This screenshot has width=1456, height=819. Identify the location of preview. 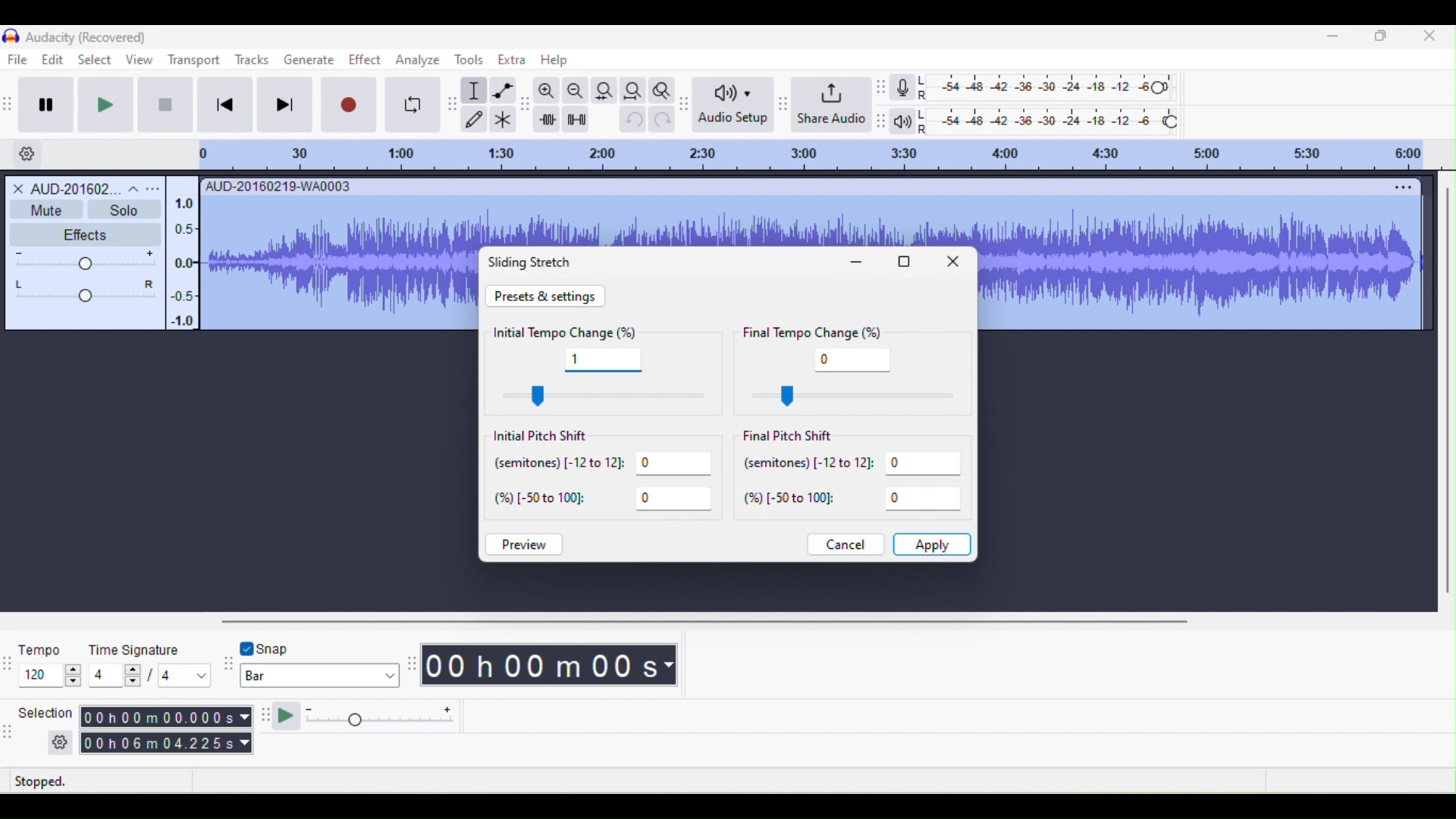
(527, 546).